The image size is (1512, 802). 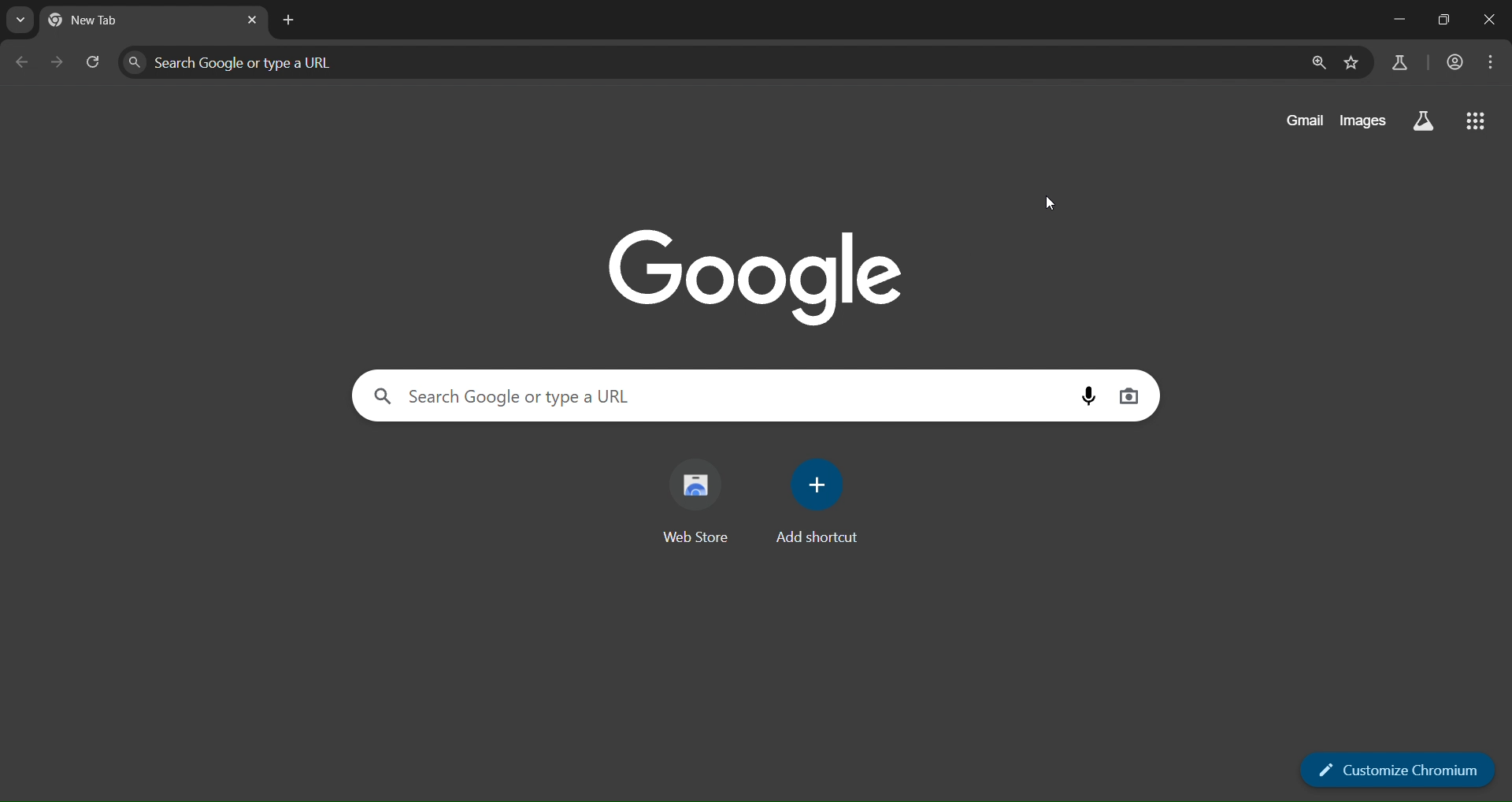 I want to click on minimize, so click(x=1395, y=19).